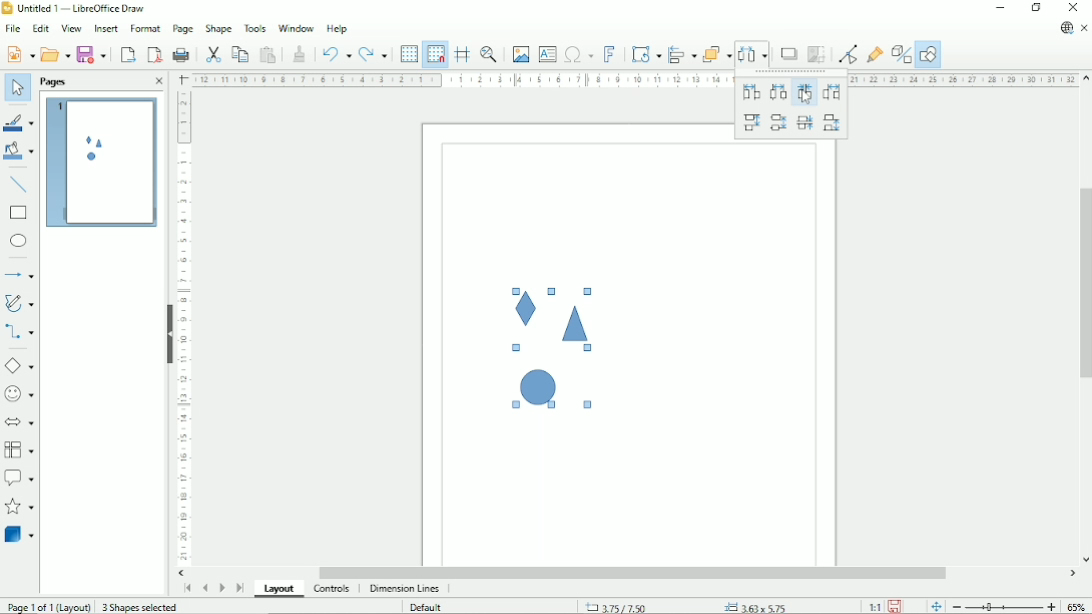 This screenshot has height=614, width=1092. What do you see at coordinates (831, 93) in the screenshot?
I see `Horizontally right` at bounding box center [831, 93].